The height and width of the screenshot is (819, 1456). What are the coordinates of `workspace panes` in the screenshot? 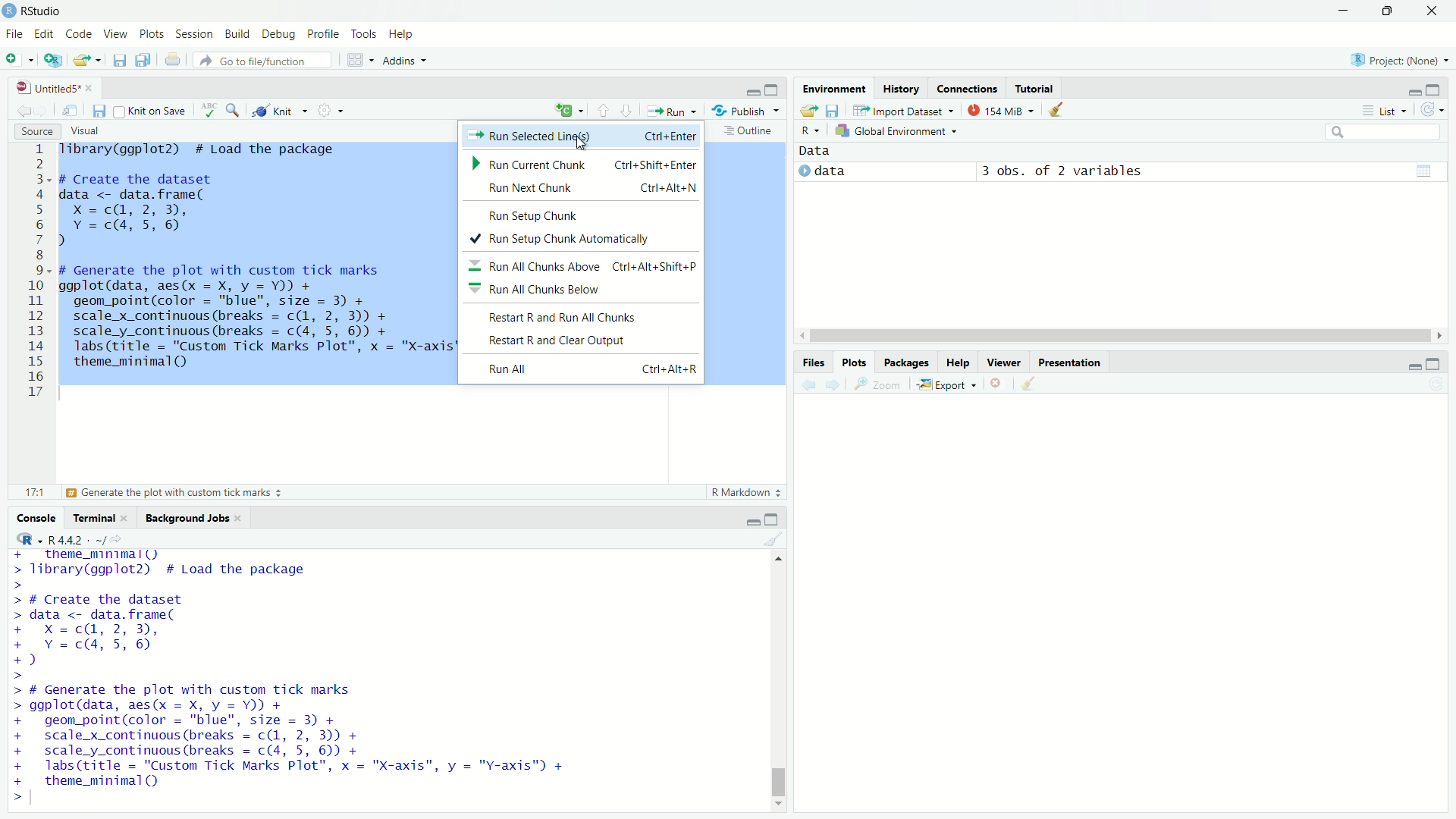 It's located at (359, 61).